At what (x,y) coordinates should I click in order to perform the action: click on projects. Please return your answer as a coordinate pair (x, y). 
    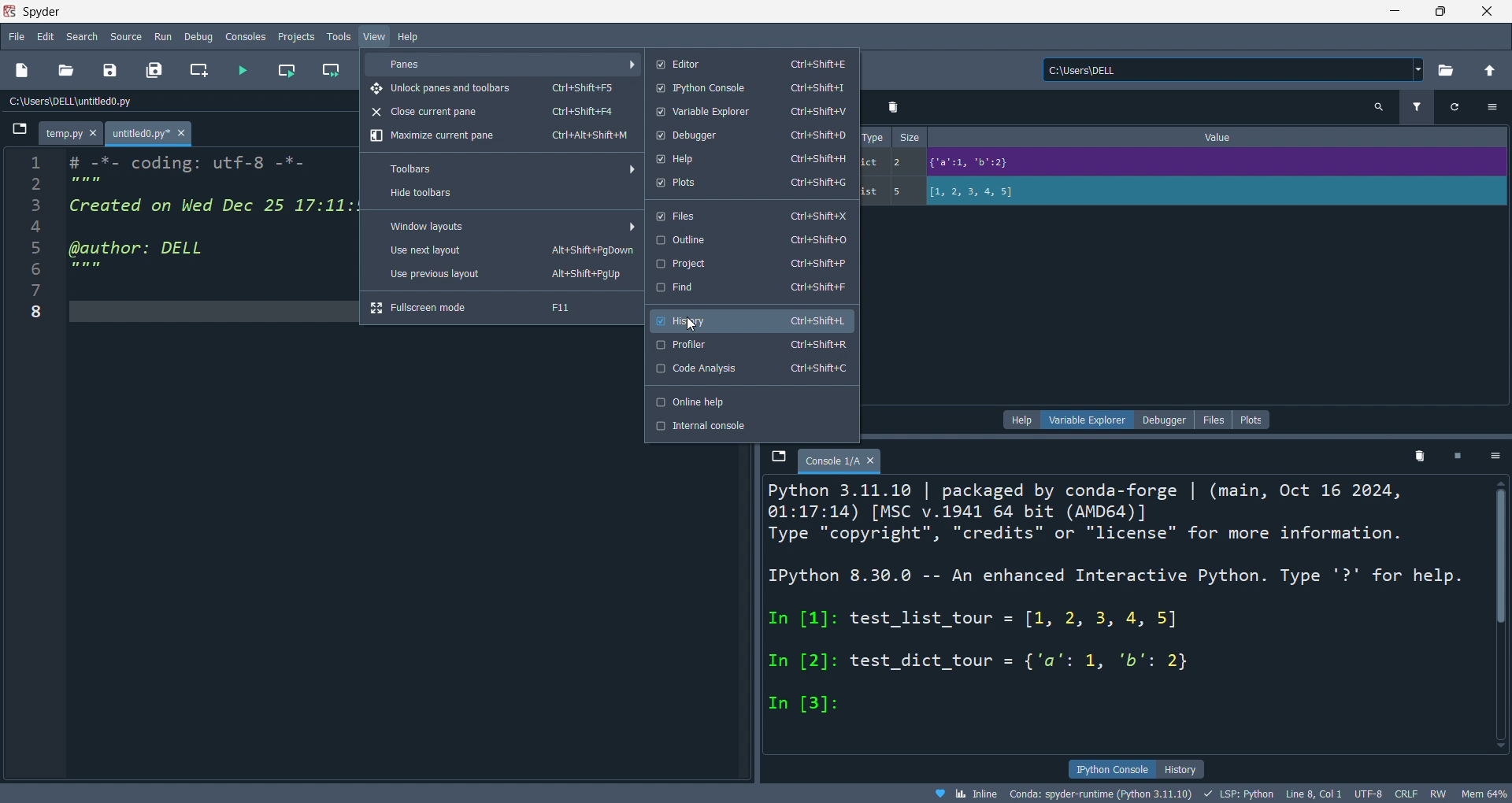
    Looking at the image, I should click on (295, 35).